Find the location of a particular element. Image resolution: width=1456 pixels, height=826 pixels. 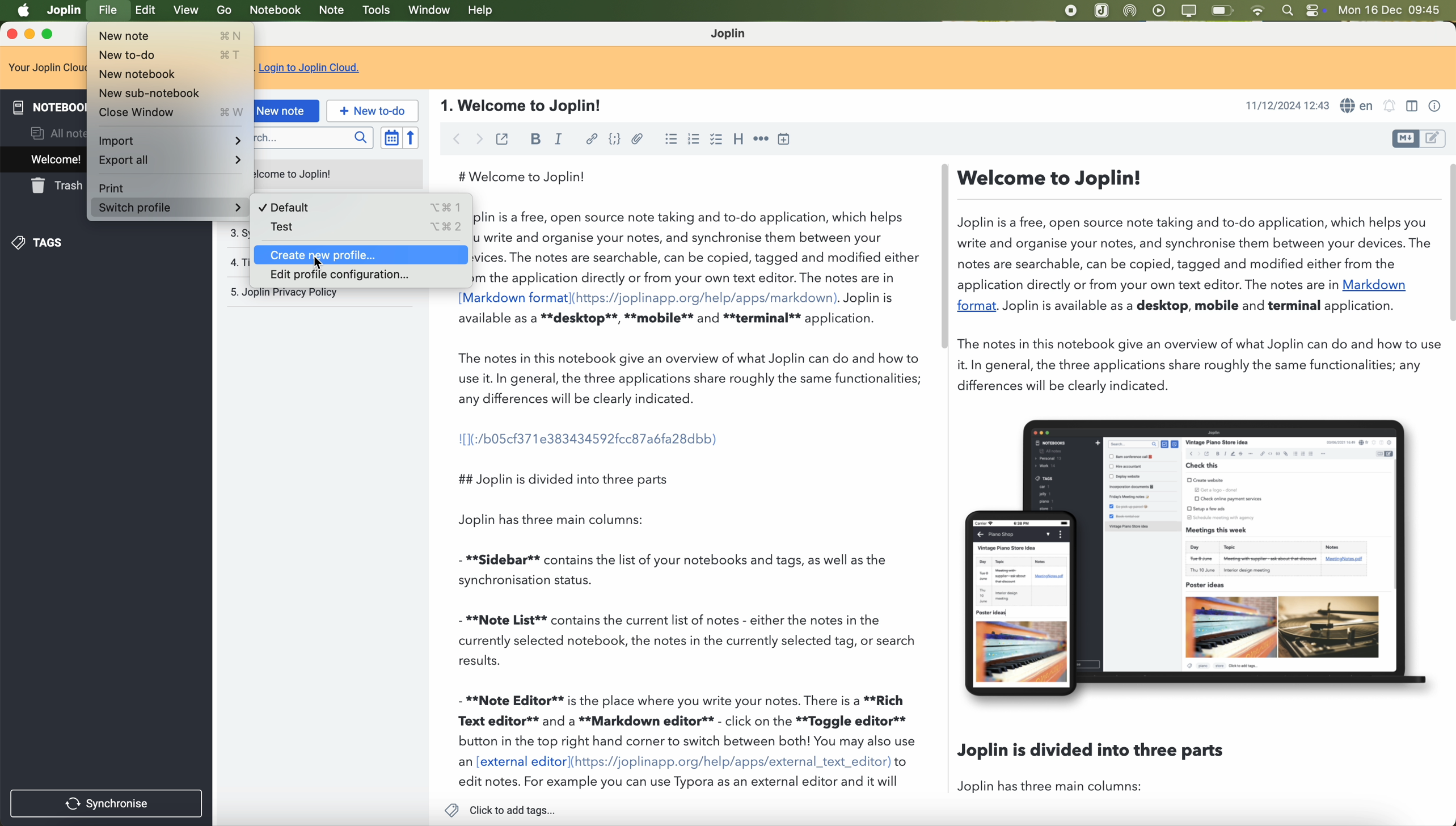

bulleted list is located at coordinates (670, 139).